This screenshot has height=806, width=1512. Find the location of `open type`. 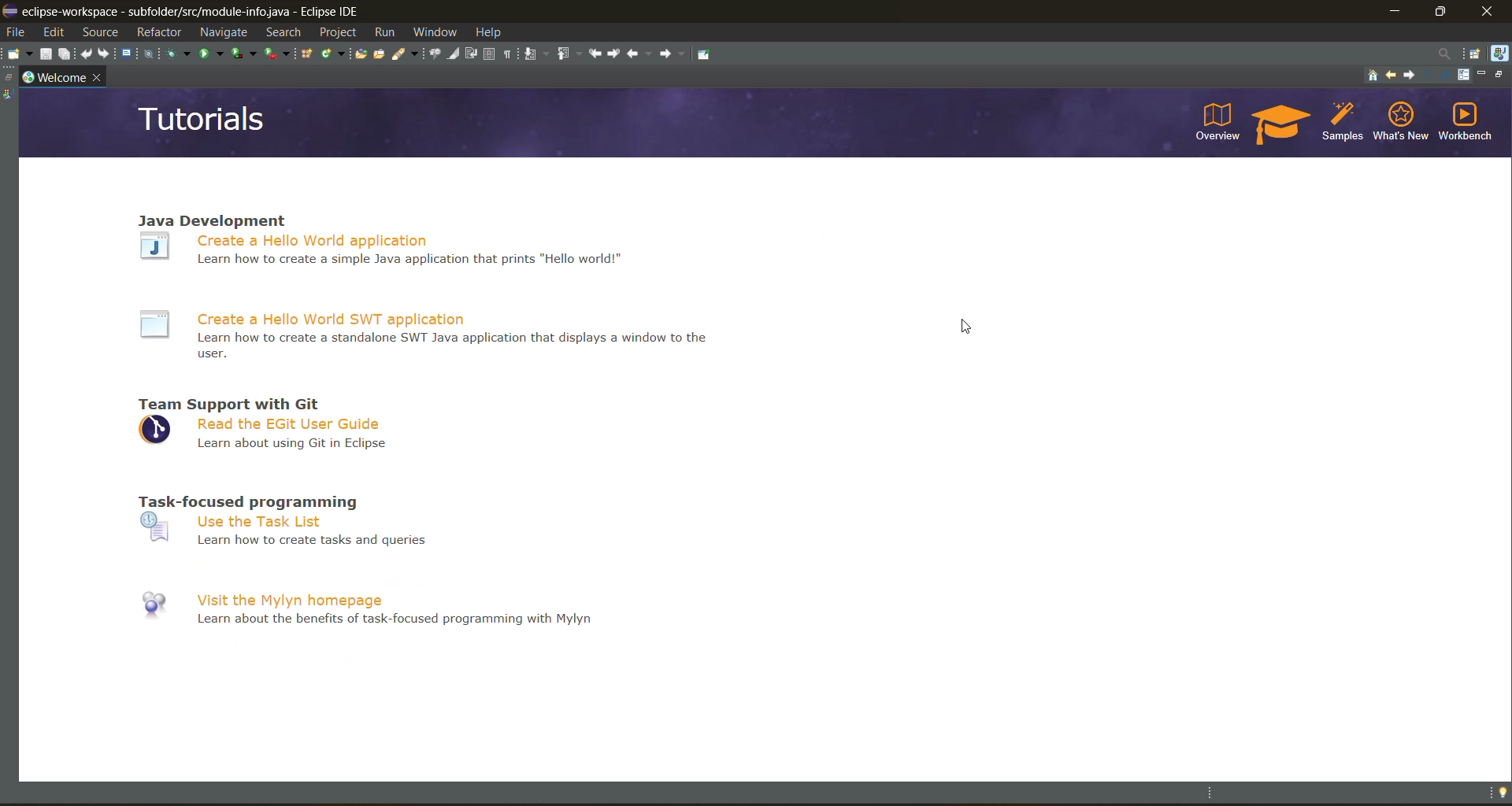

open type is located at coordinates (359, 52).